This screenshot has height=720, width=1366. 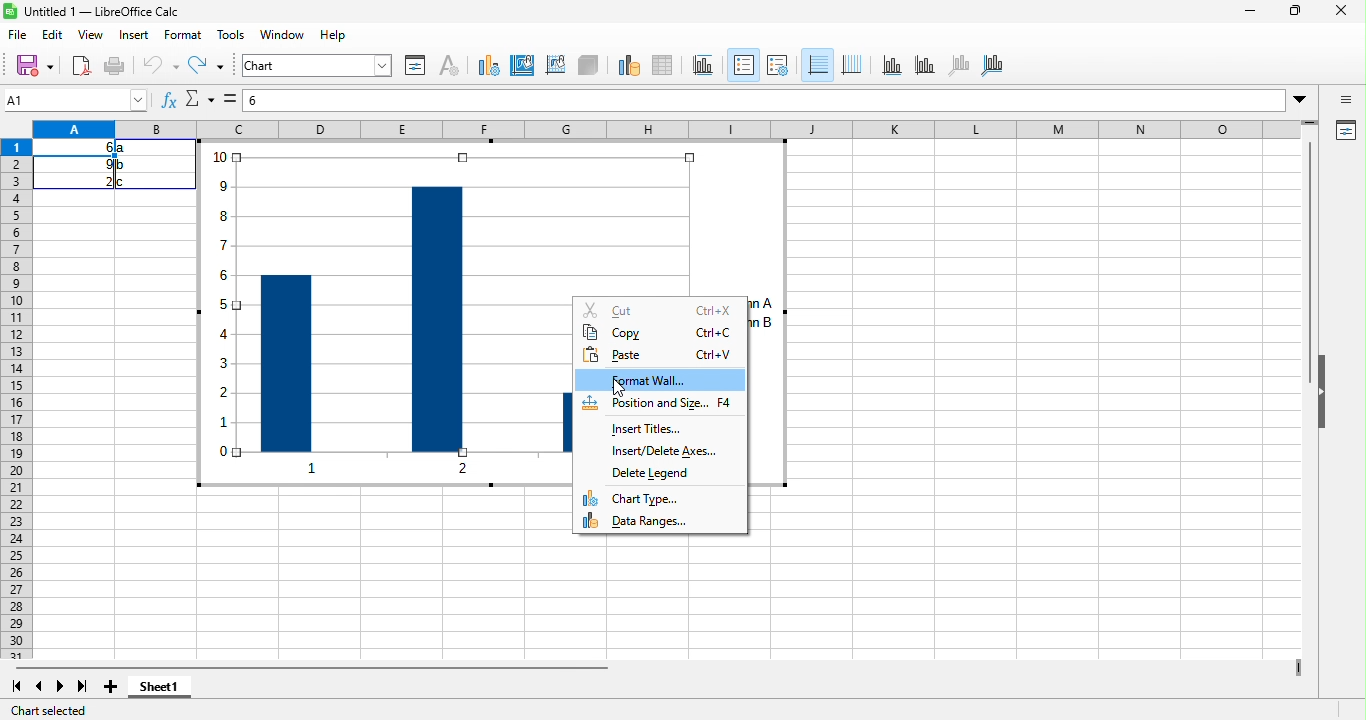 What do you see at coordinates (205, 65) in the screenshot?
I see `redo` at bounding box center [205, 65].